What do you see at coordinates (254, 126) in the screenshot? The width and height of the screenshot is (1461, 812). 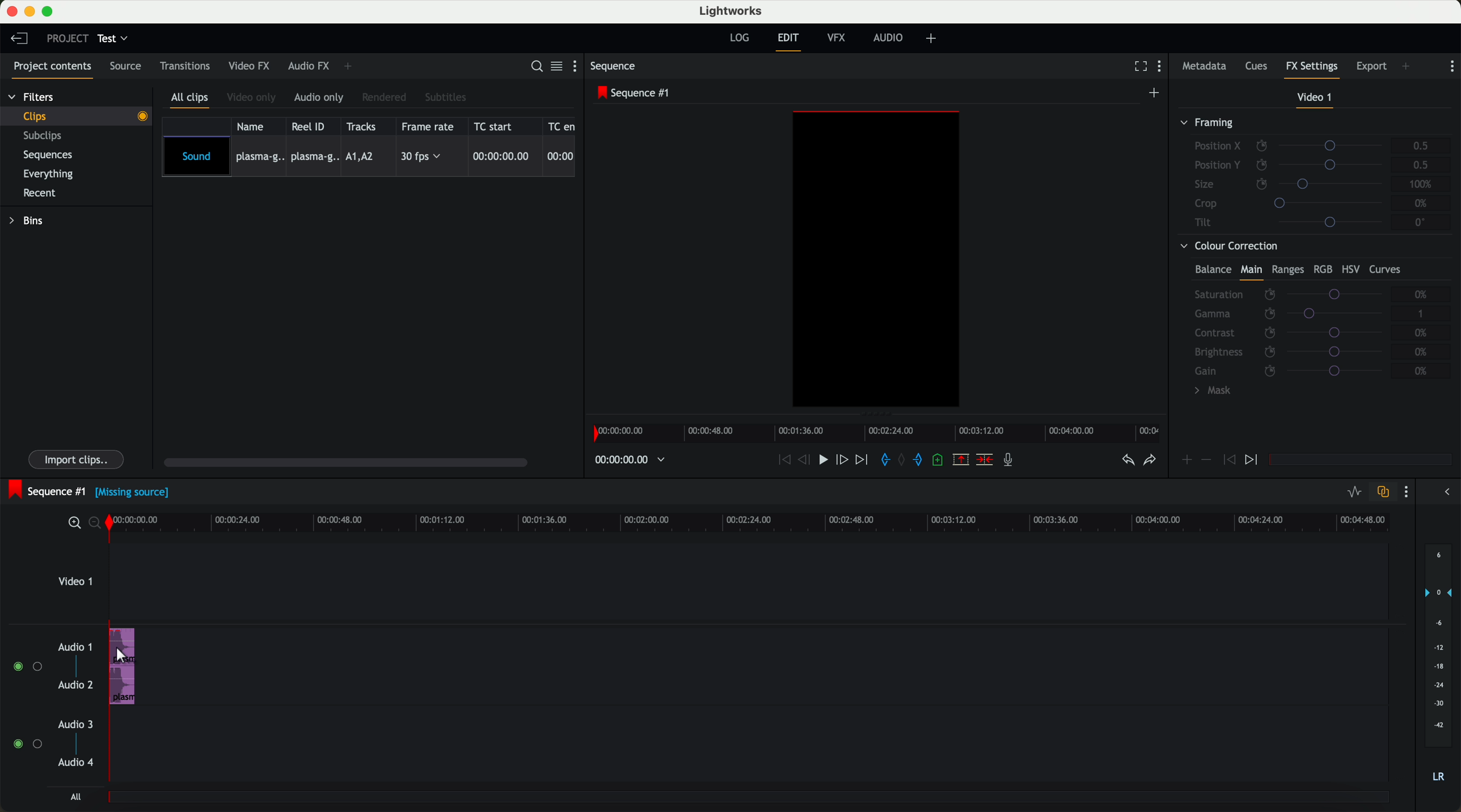 I see `name` at bounding box center [254, 126].